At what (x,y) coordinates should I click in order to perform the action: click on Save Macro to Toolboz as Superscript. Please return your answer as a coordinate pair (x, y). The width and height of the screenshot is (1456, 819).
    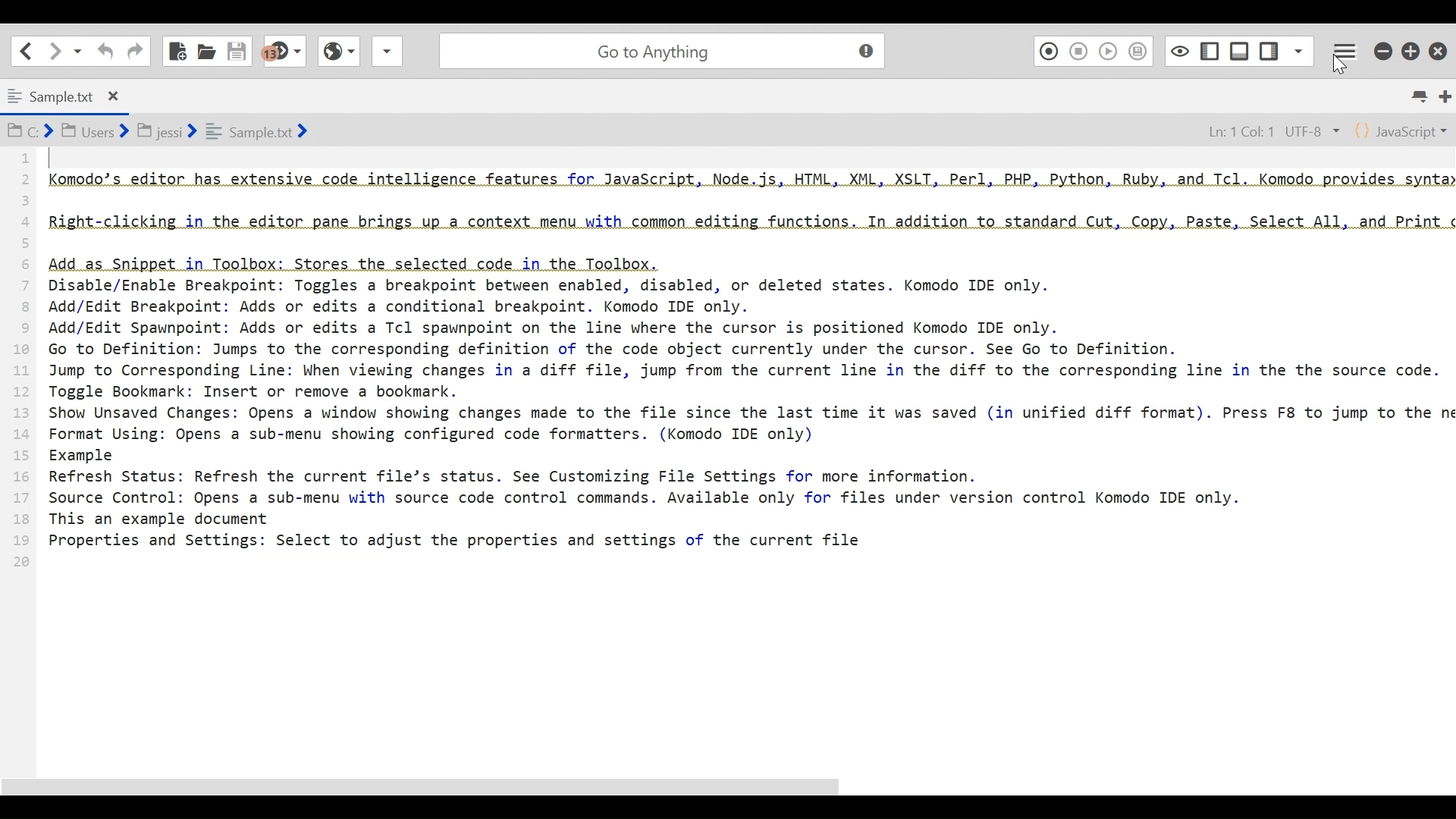
    Looking at the image, I should click on (1141, 50).